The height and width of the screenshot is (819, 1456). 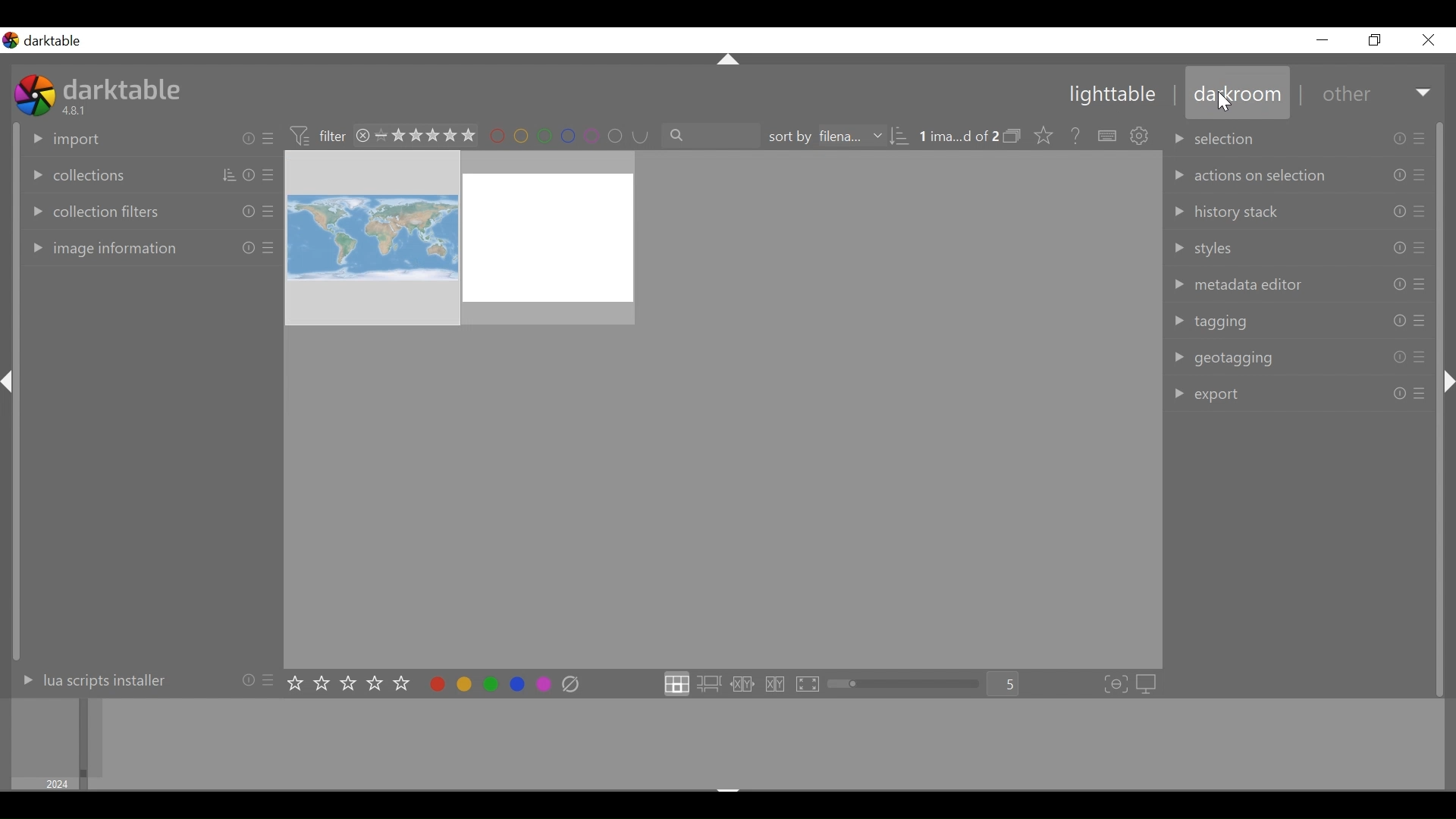 I want to click on range filtering, so click(x=415, y=136).